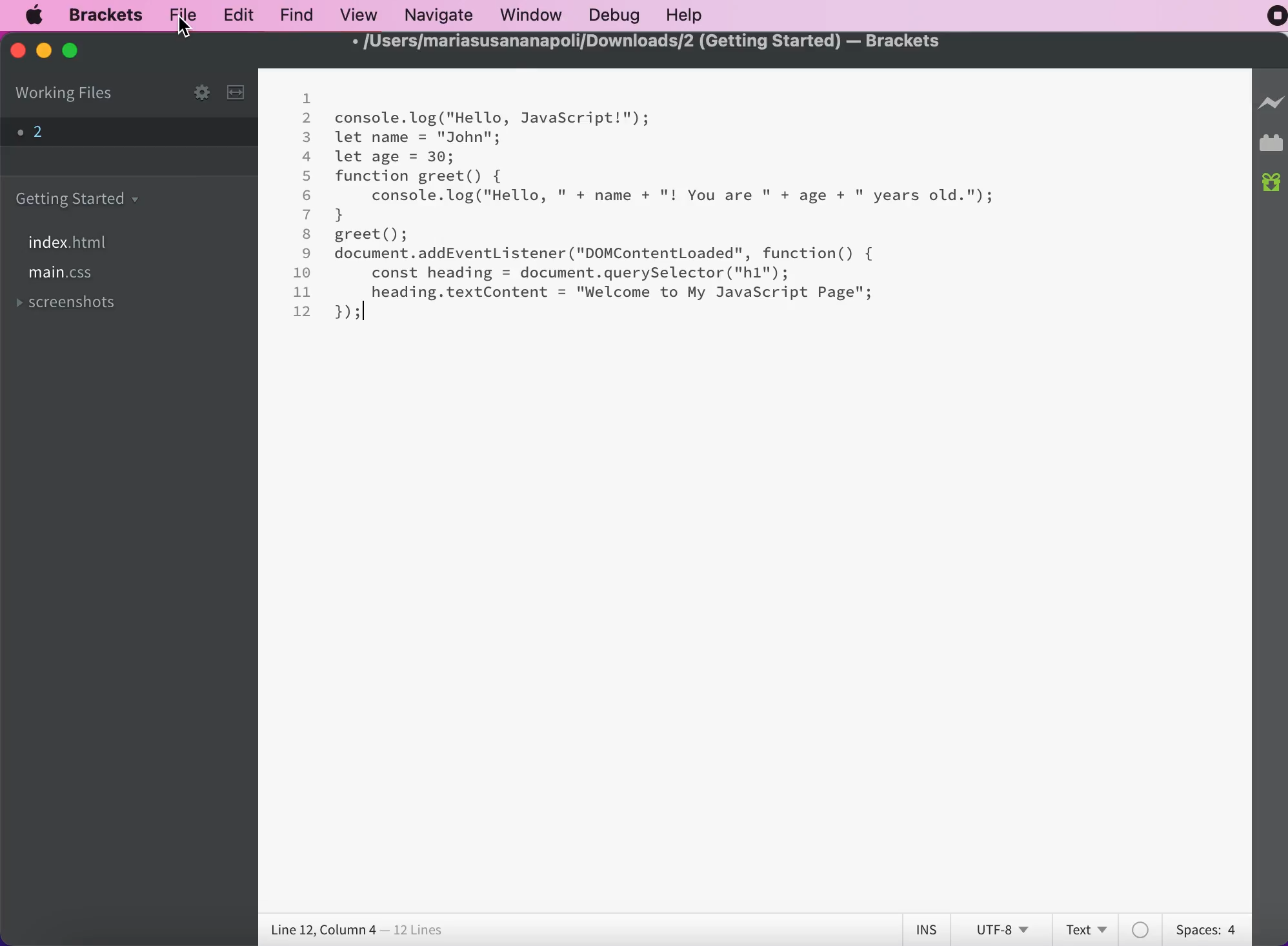 The height and width of the screenshot is (946, 1288). I want to click on 6, so click(307, 196).